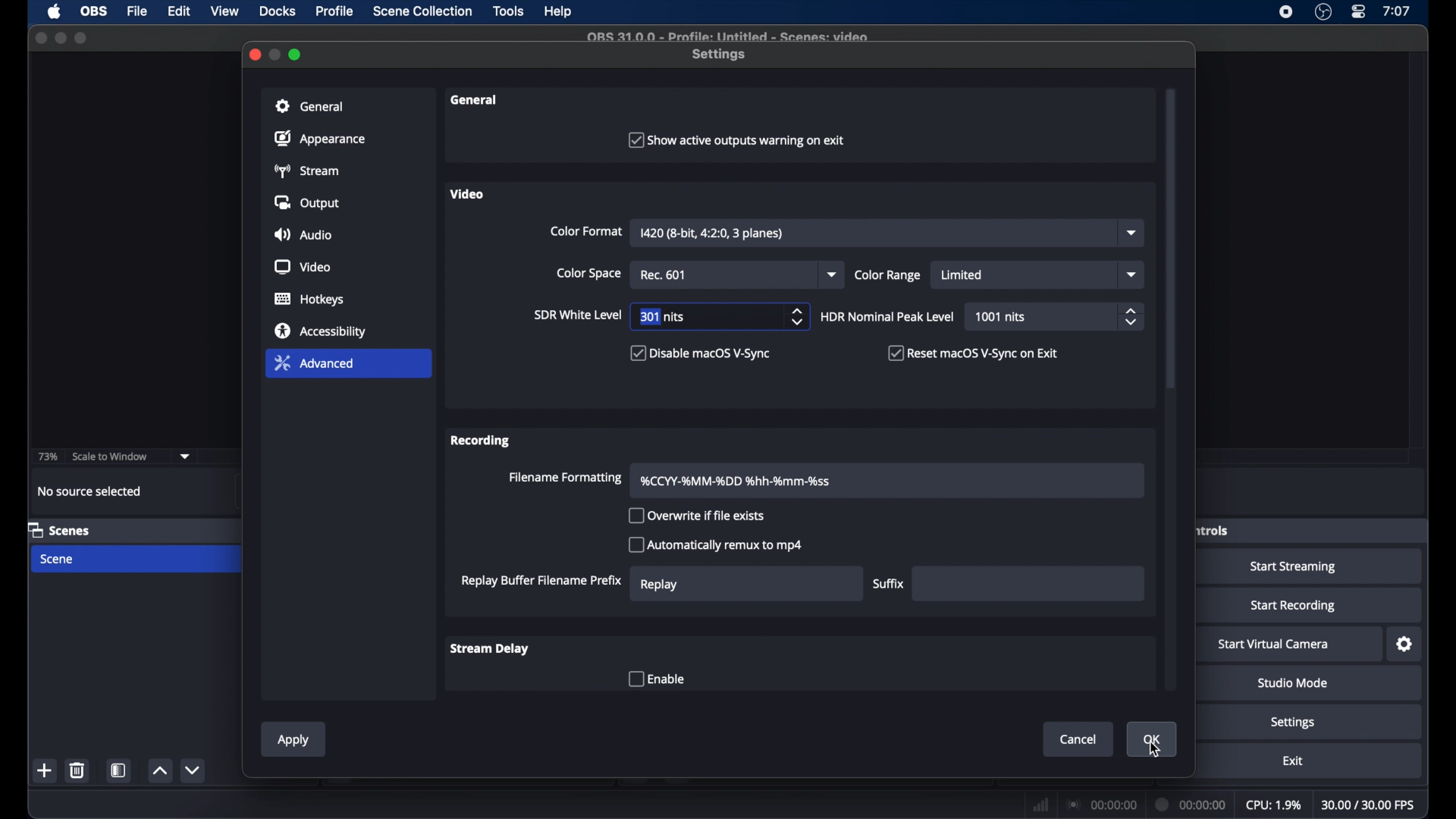 The height and width of the screenshot is (819, 1456). Describe the element at coordinates (296, 55) in the screenshot. I see `maximize` at that location.